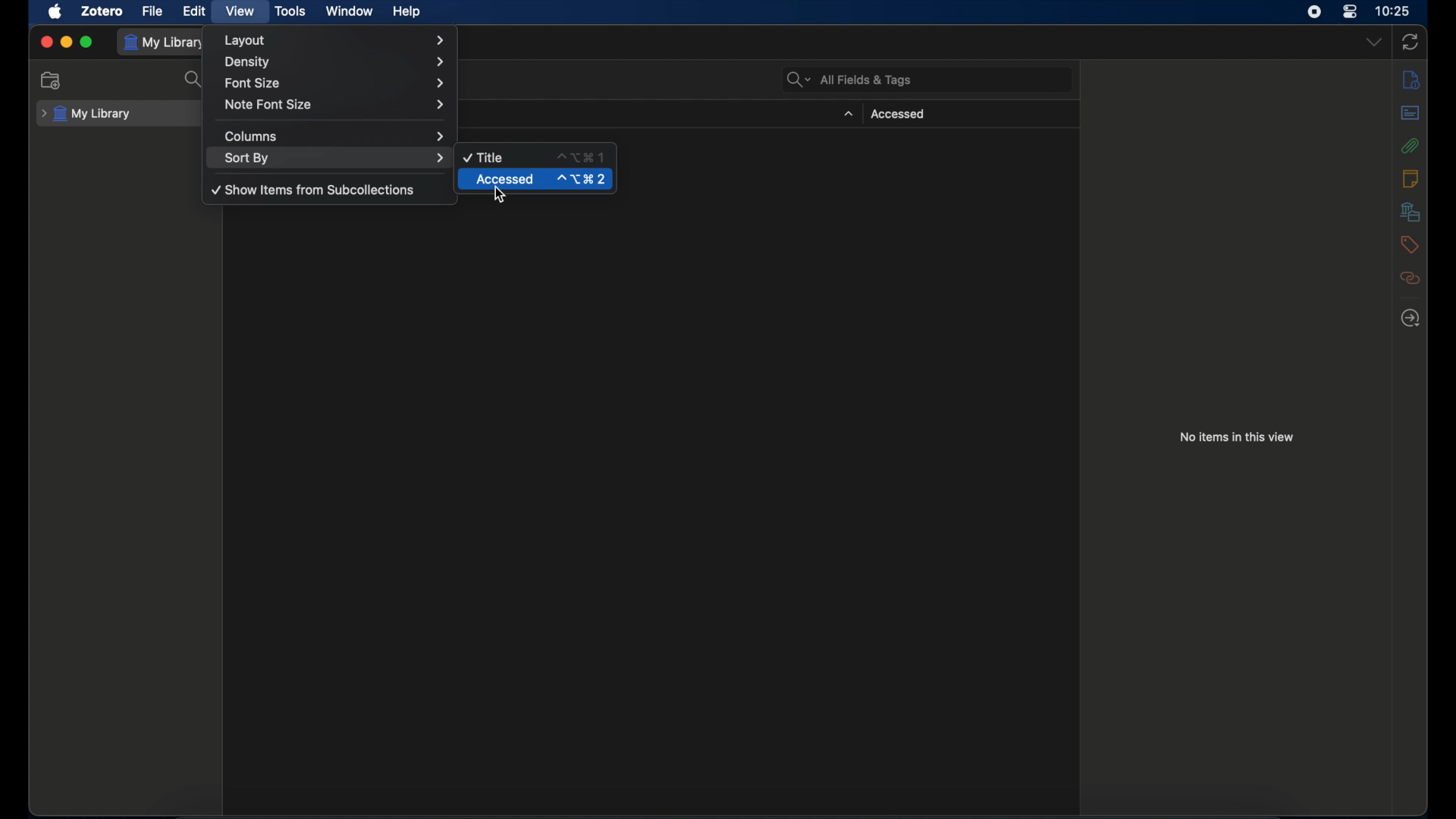 Image resolution: width=1456 pixels, height=819 pixels. I want to click on attachments, so click(1410, 146).